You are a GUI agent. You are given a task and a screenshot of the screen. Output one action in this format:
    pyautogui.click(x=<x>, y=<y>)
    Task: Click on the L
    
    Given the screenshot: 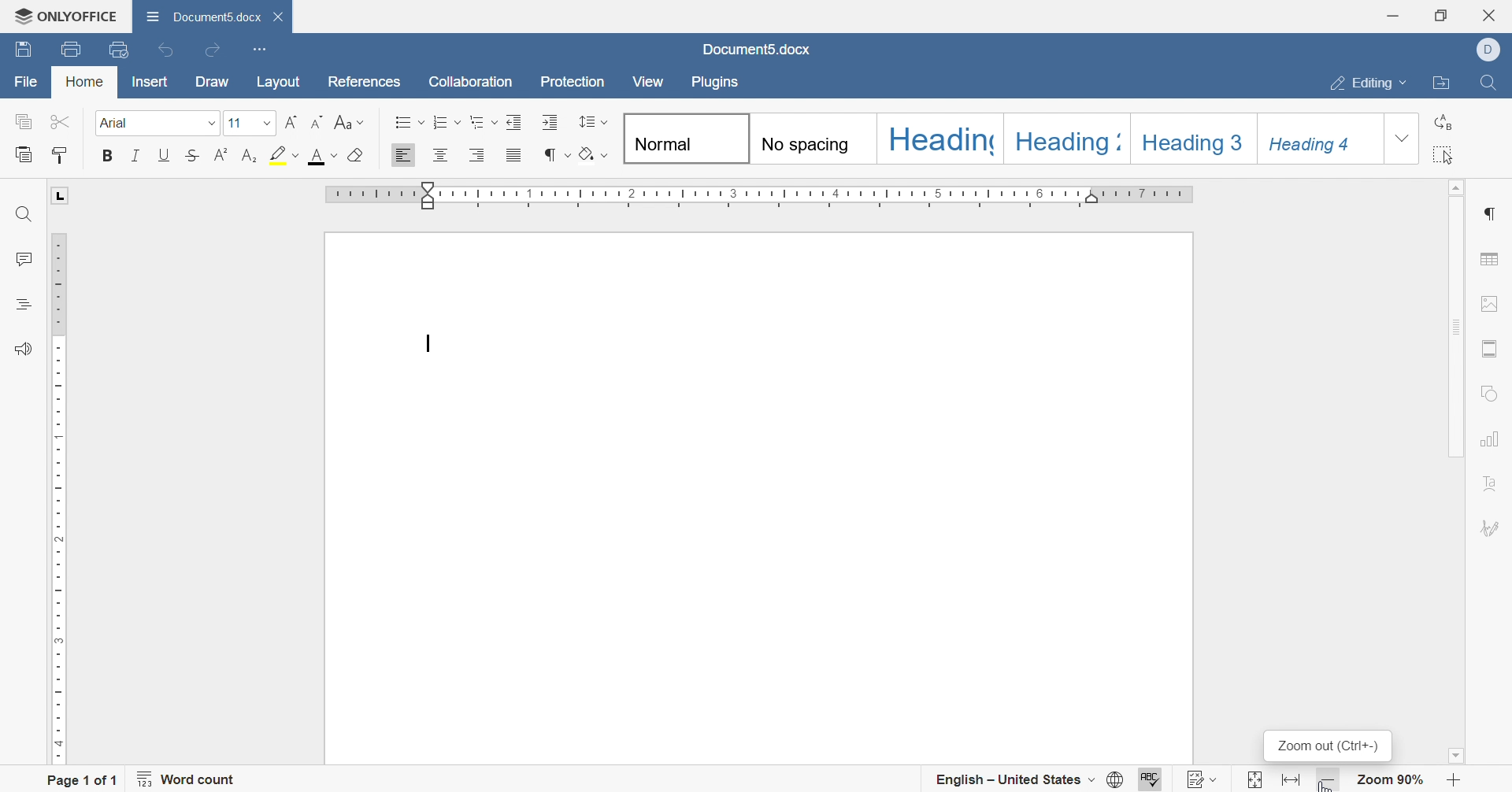 What is the action you would take?
    pyautogui.click(x=57, y=194)
    